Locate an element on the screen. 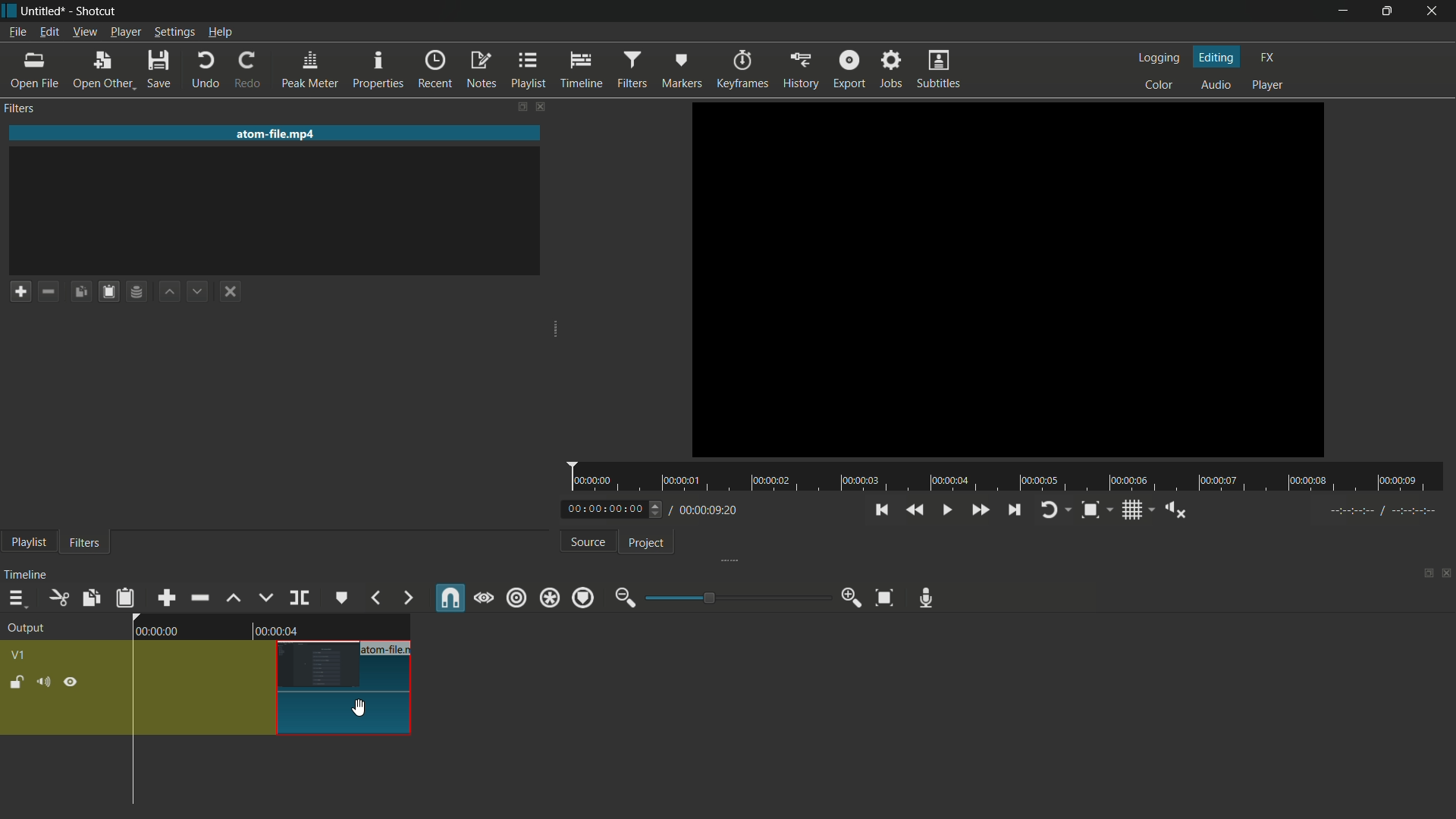 This screenshot has height=819, width=1456. view menu is located at coordinates (84, 32).